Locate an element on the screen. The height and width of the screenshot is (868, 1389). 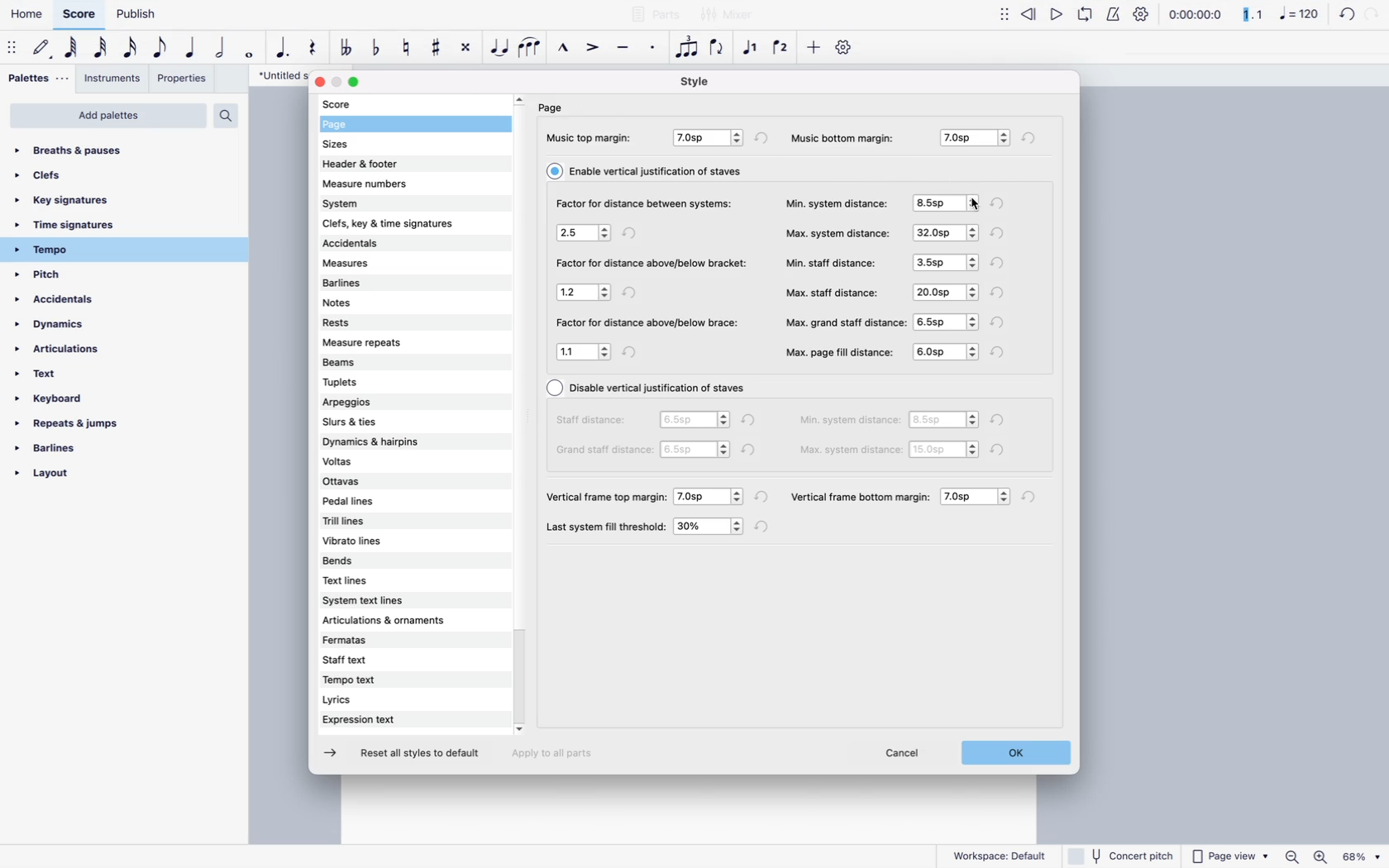
max page fill distance is located at coordinates (840, 352).